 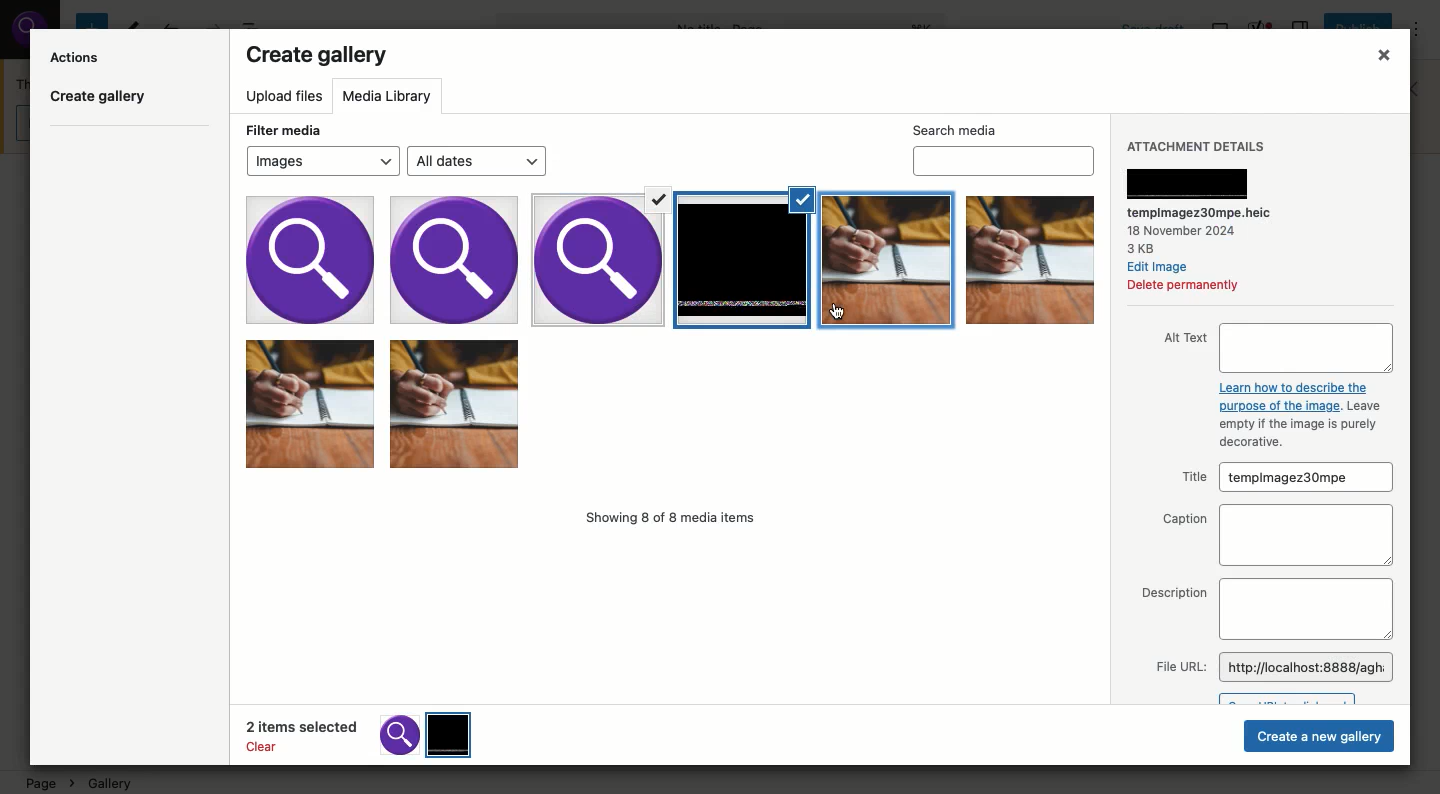 I want to click on Showing 8 of 8 media items, so click(x=675, y=520).